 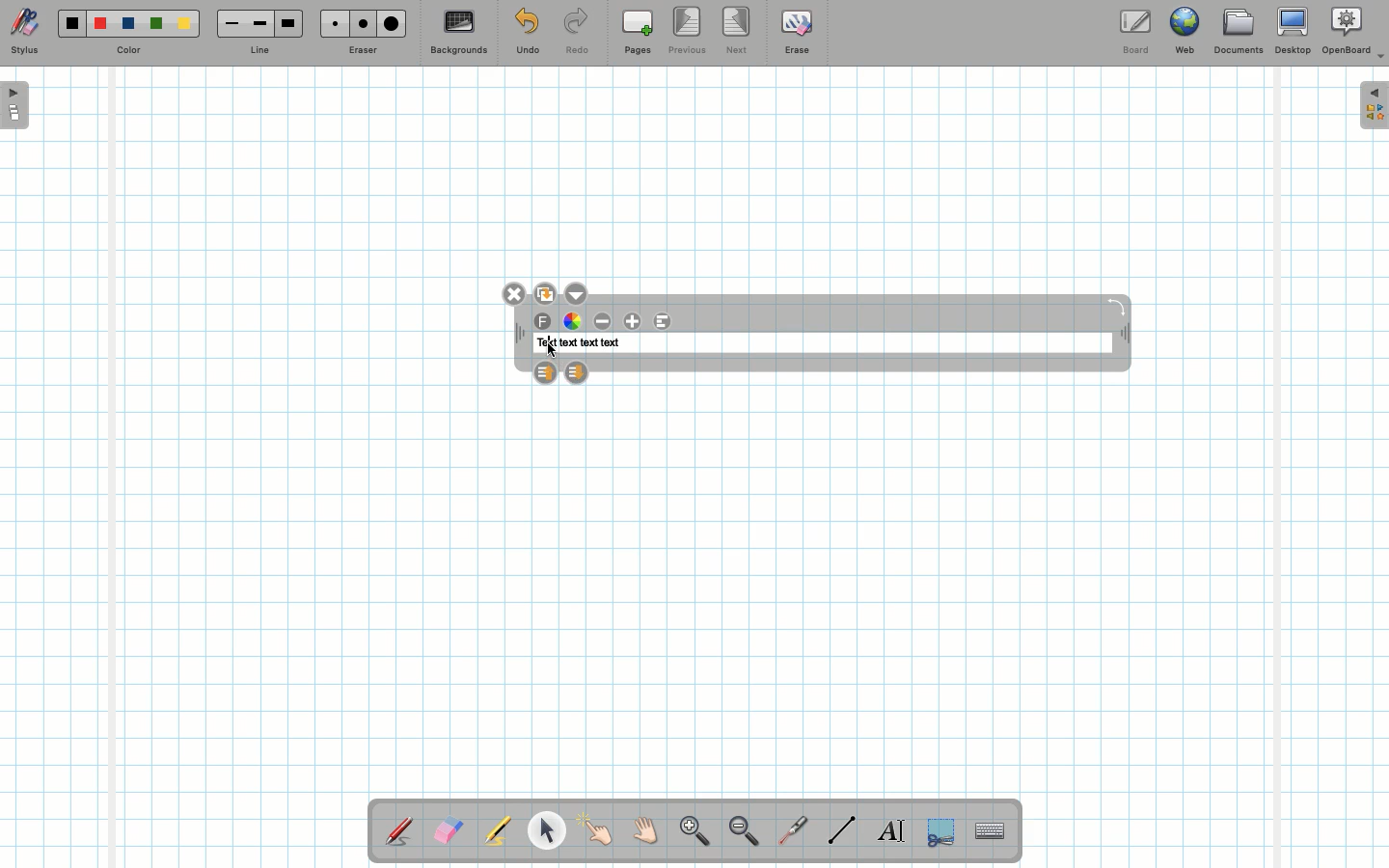 What do you see at coordinates (496, 832) in the screenshot?
I see `Highlighter` at bounding box center [496, 832].